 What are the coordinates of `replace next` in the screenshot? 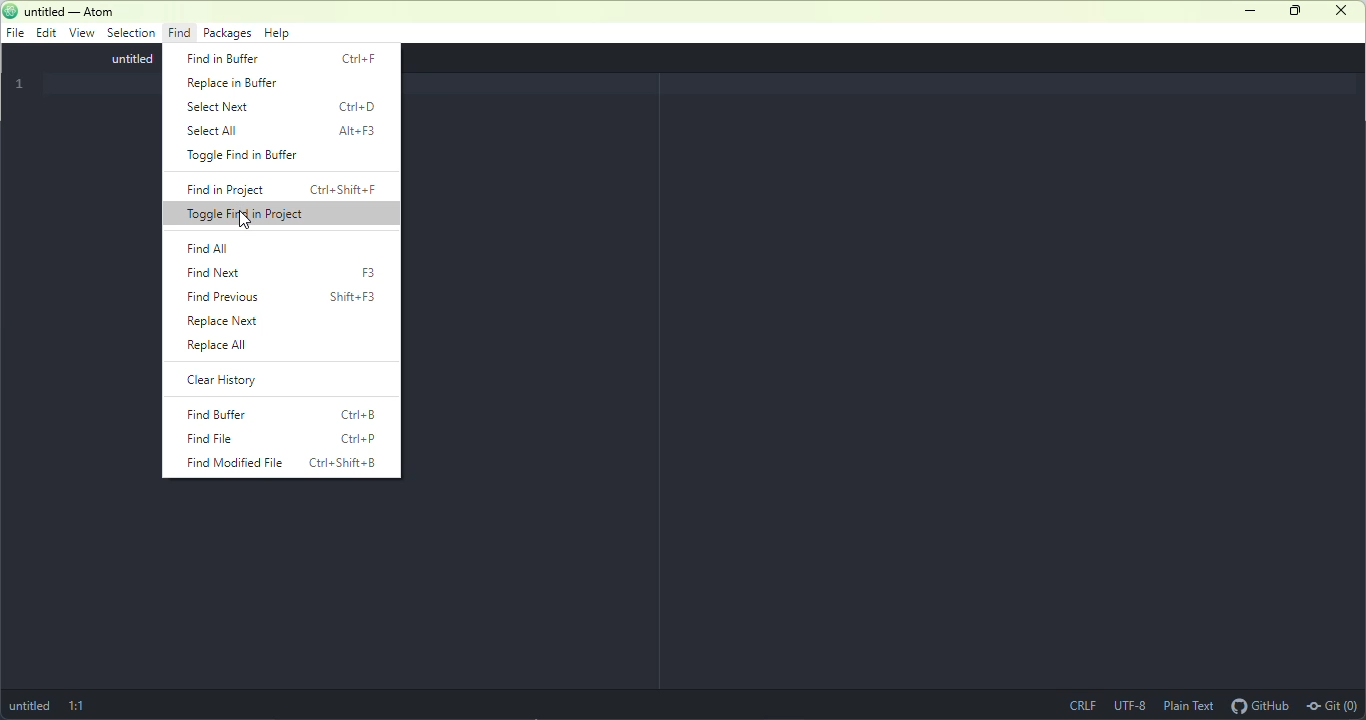 It's located at (263, 321).